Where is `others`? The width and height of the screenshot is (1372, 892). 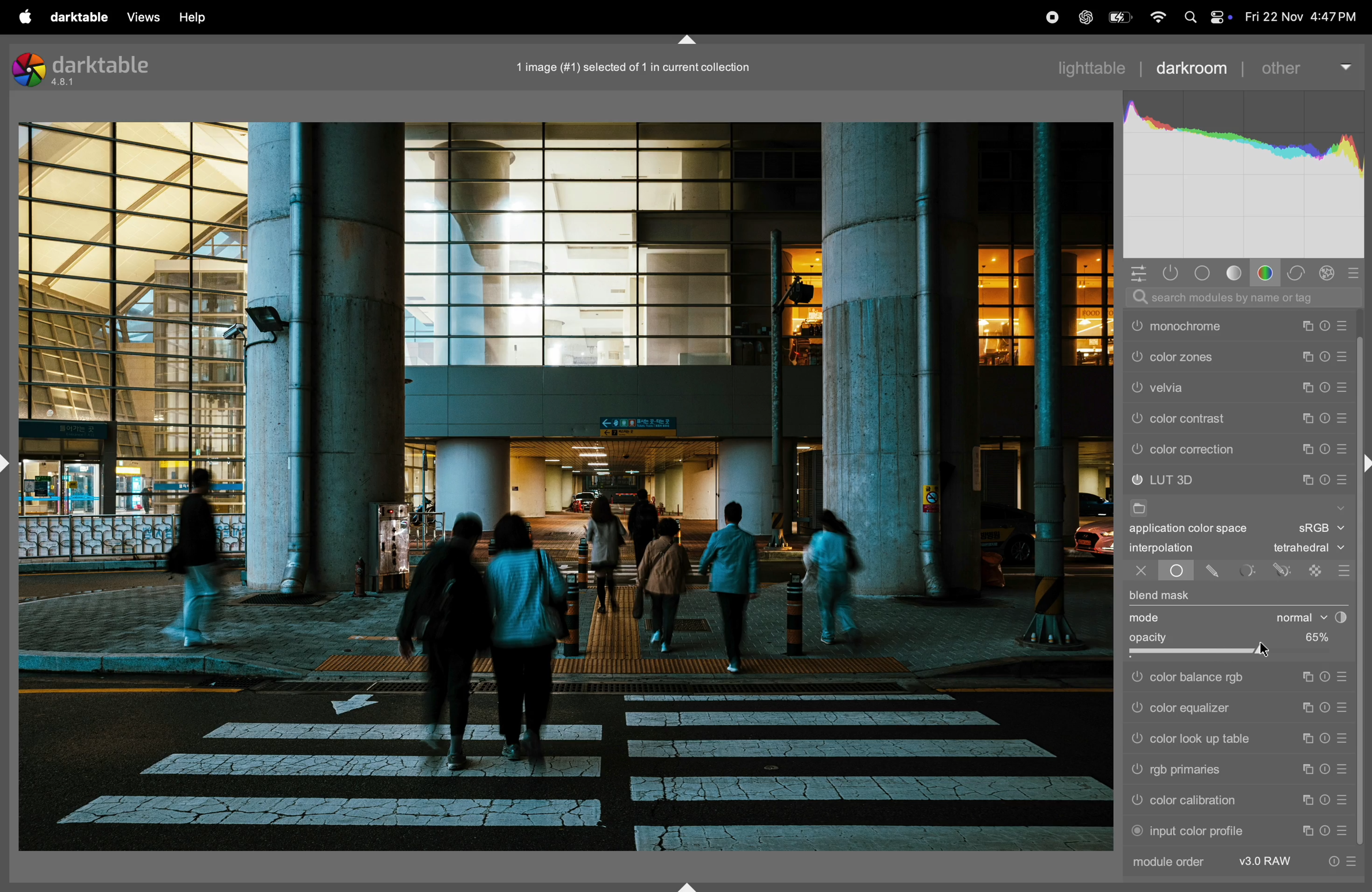 others is located at coordinates (1308, 66).